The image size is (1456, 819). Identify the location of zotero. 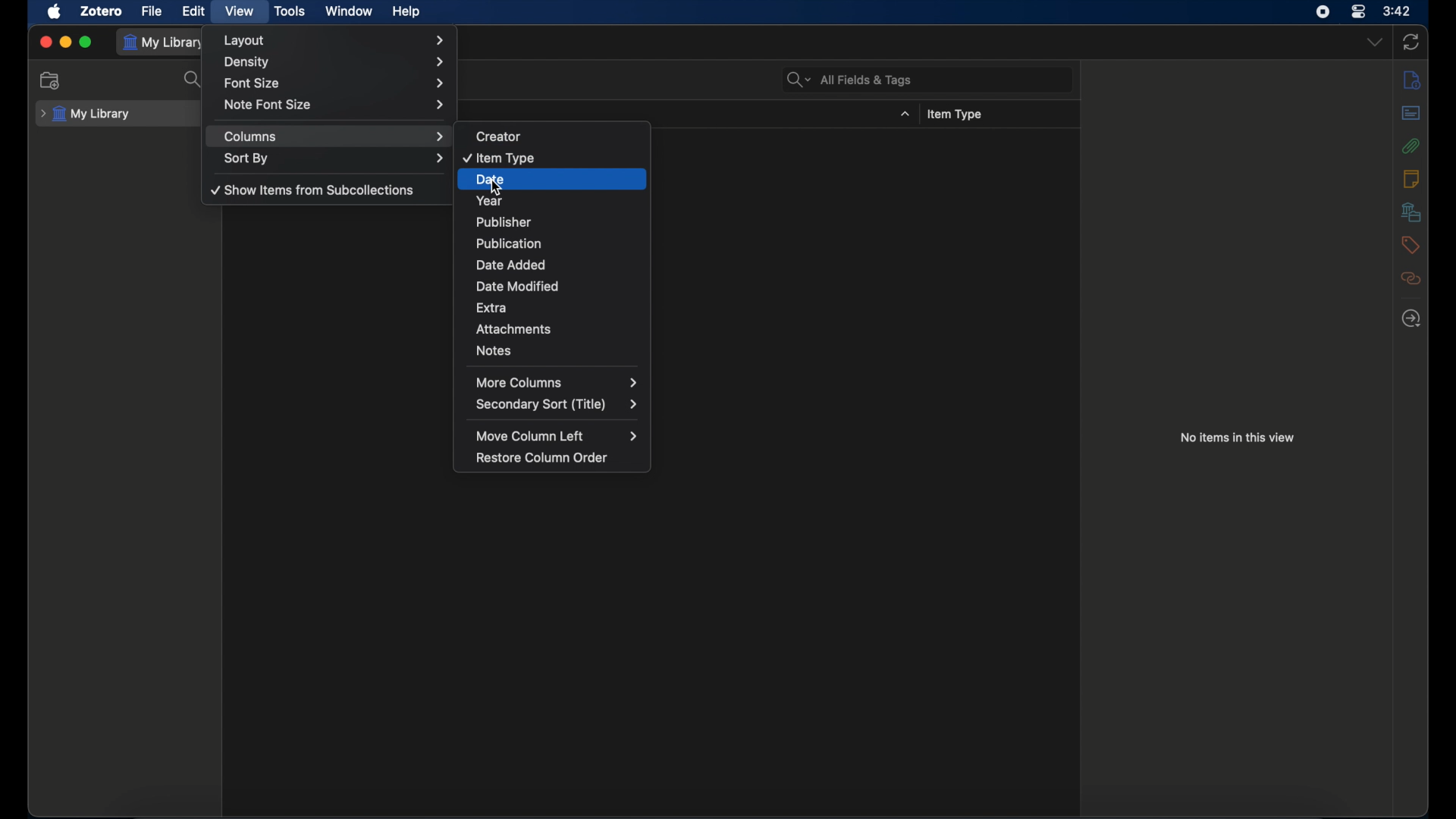
(102, 10).